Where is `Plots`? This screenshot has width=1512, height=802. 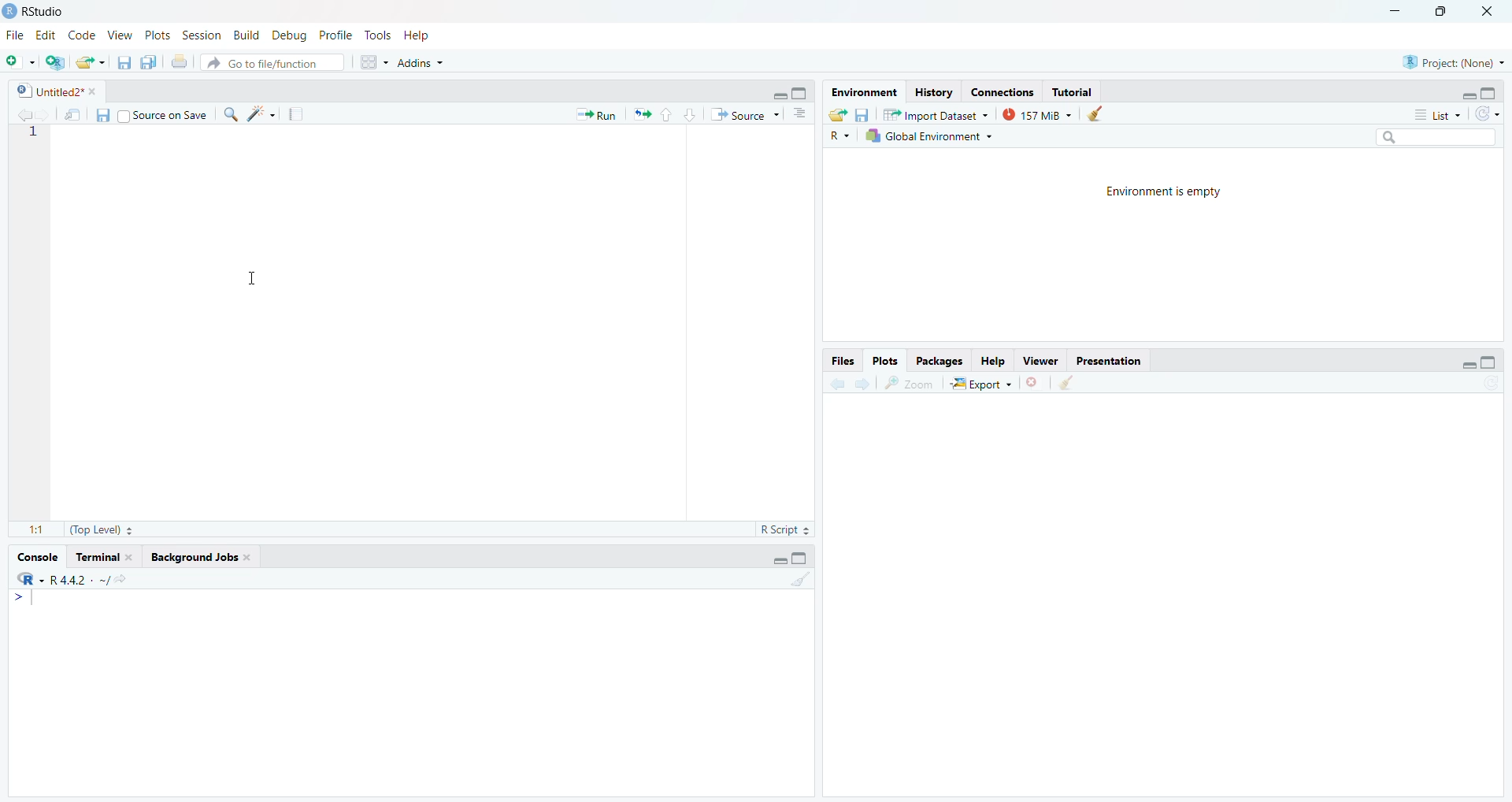 Plots is located at coordinates (157, 35).